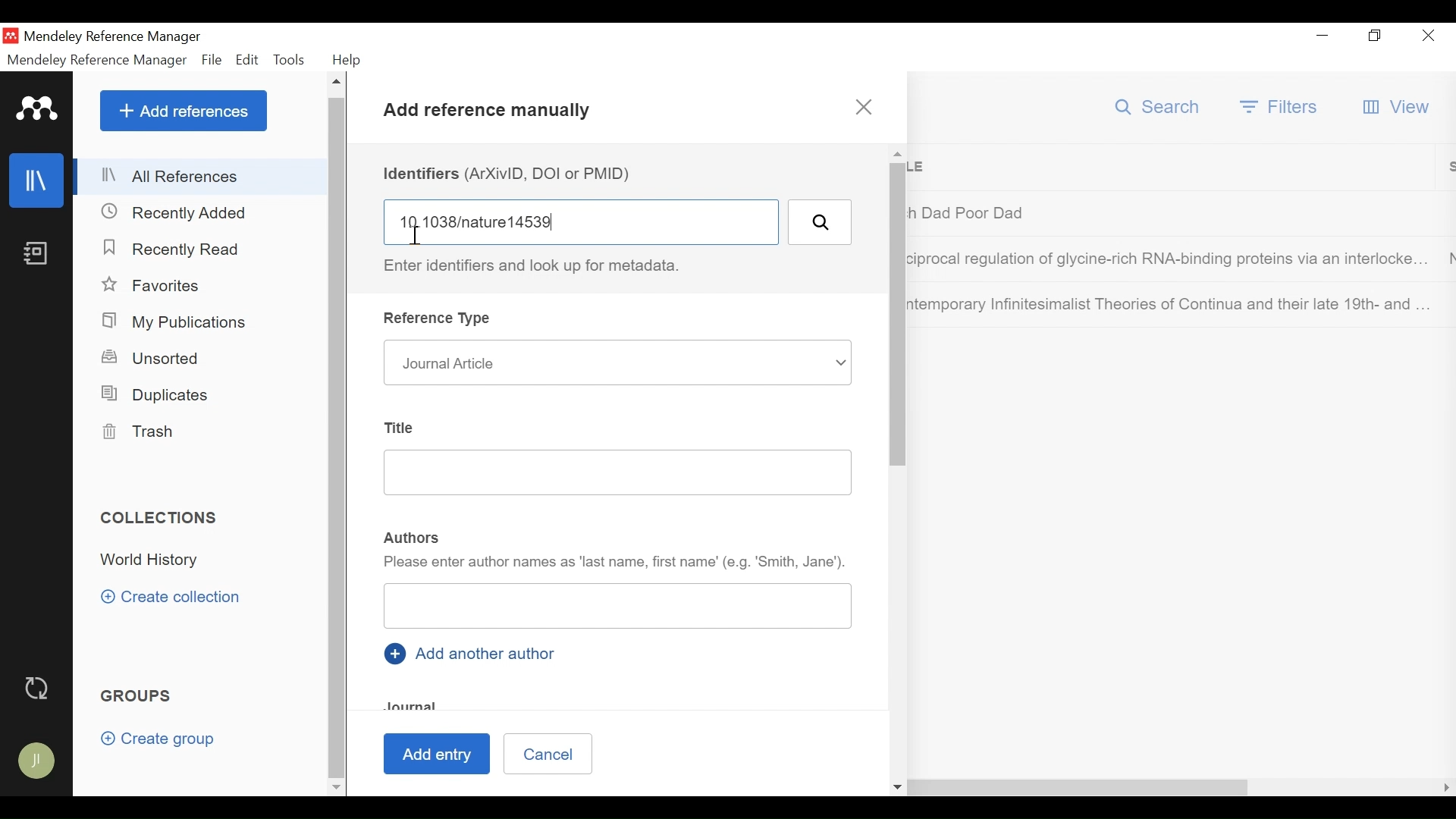 The height and width of the screenshot is (819, 1456). I want to click on Title name box, so click(604, 475).